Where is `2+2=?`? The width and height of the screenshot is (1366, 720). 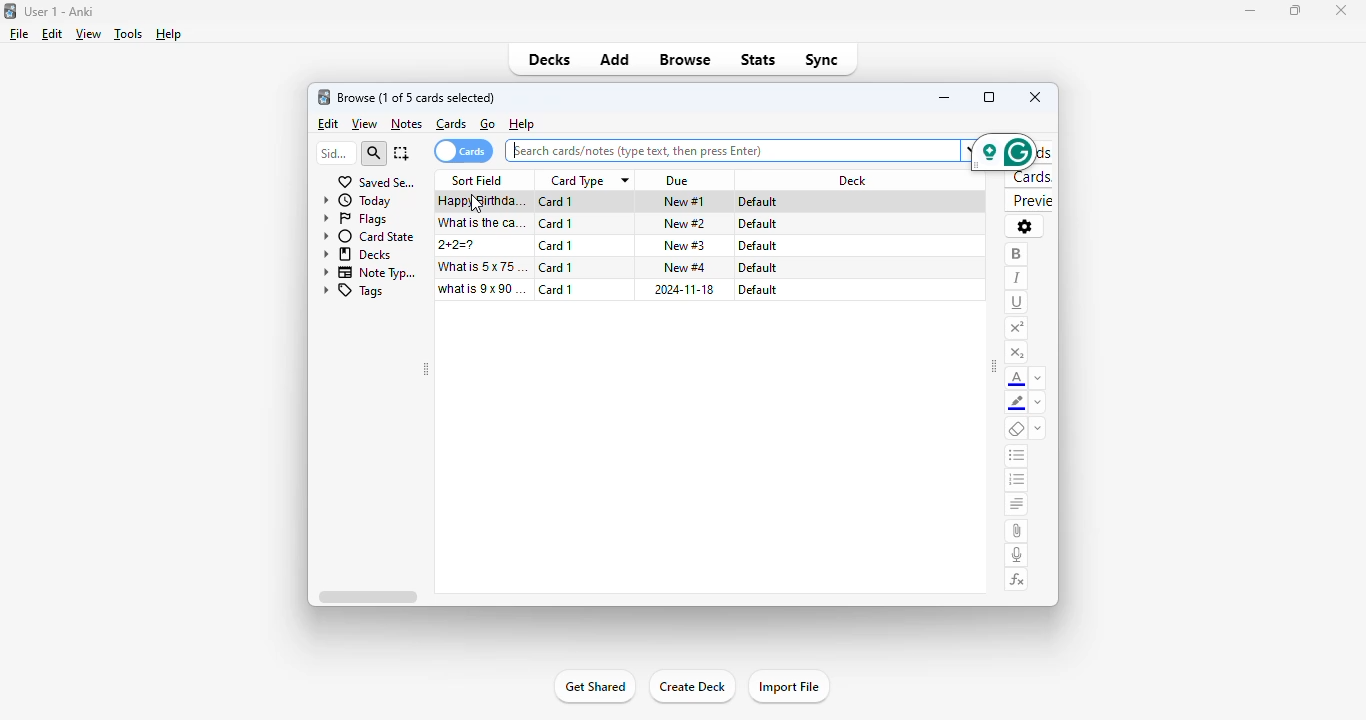
2+2=? is located at coordinates (459, 245).